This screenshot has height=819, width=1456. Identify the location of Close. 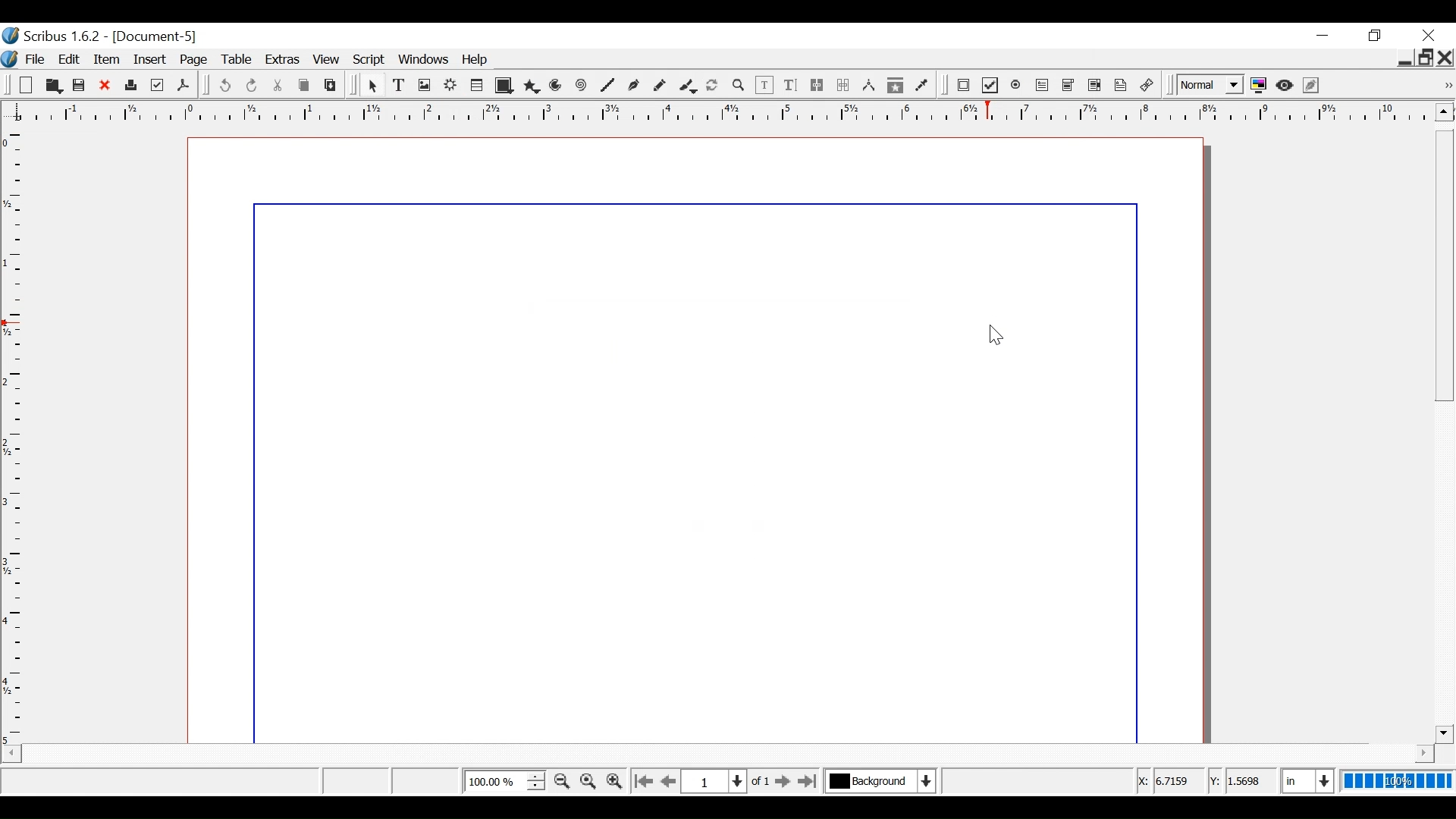
(1428, 35).